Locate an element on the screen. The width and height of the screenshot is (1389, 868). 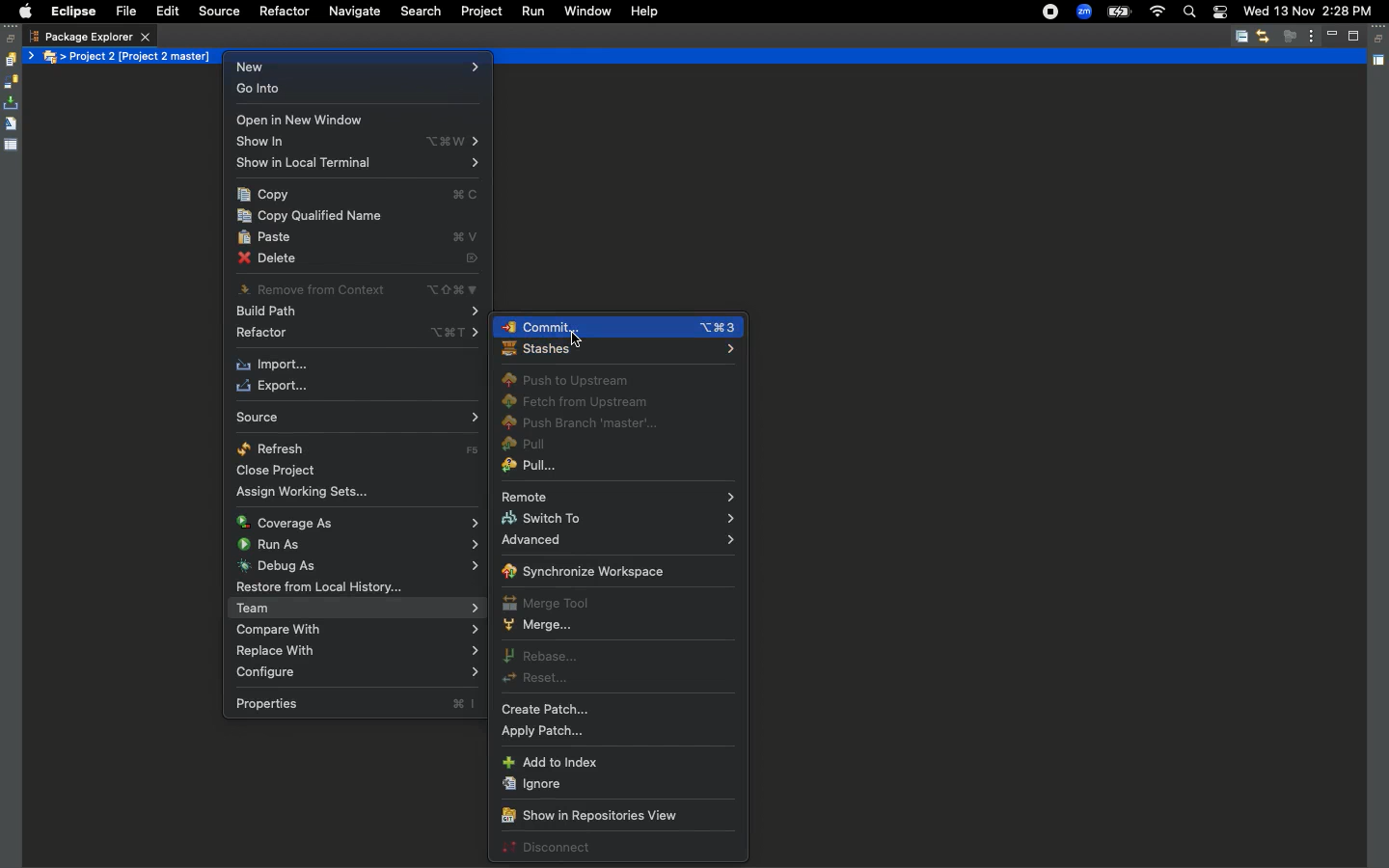
Search is located at coordinates (1188, 14).